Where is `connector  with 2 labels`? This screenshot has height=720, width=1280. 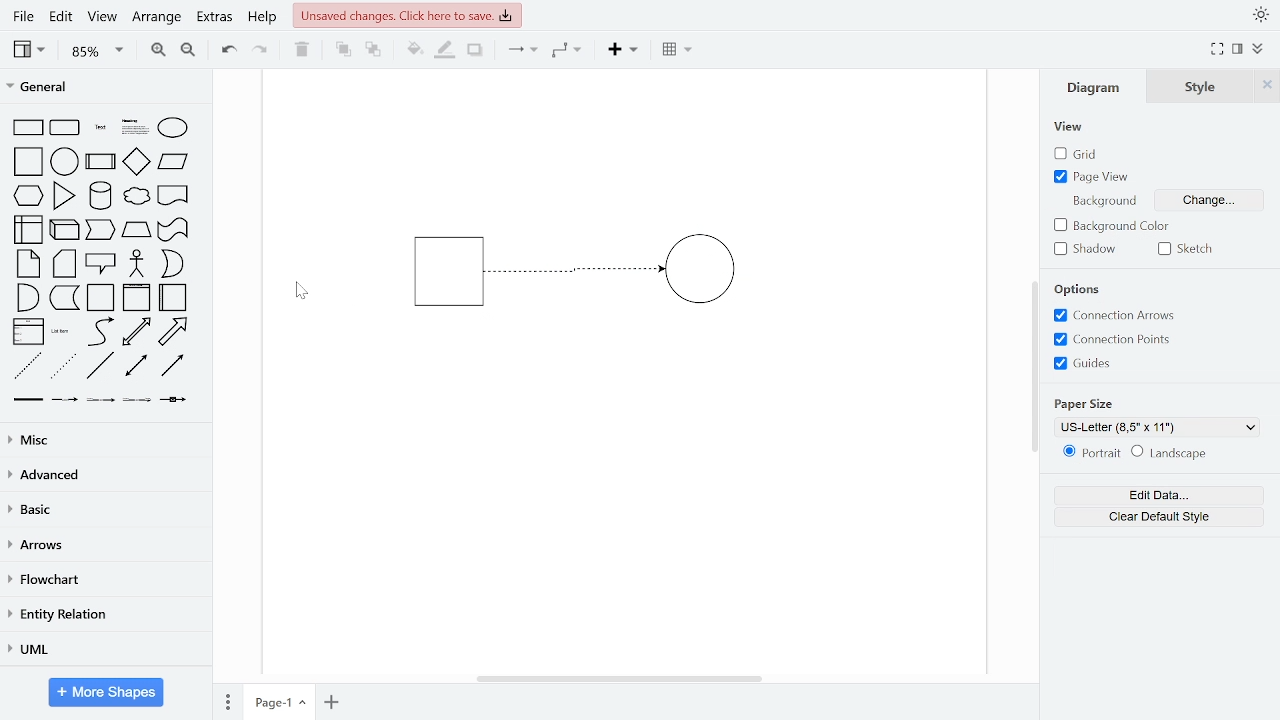
connector  with 2 labels is located at coordinates (102, 400).